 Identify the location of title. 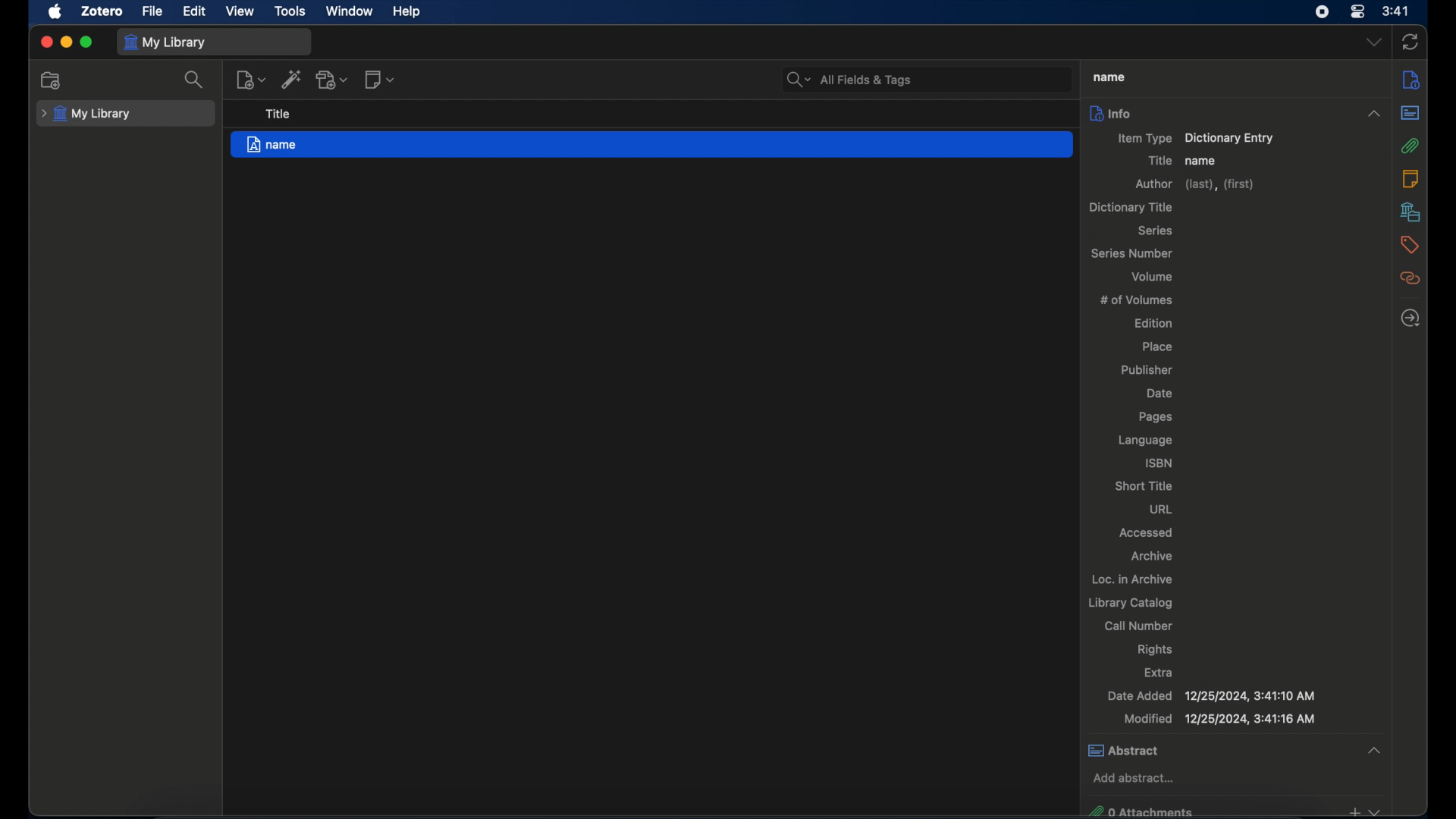
(1107, 77).